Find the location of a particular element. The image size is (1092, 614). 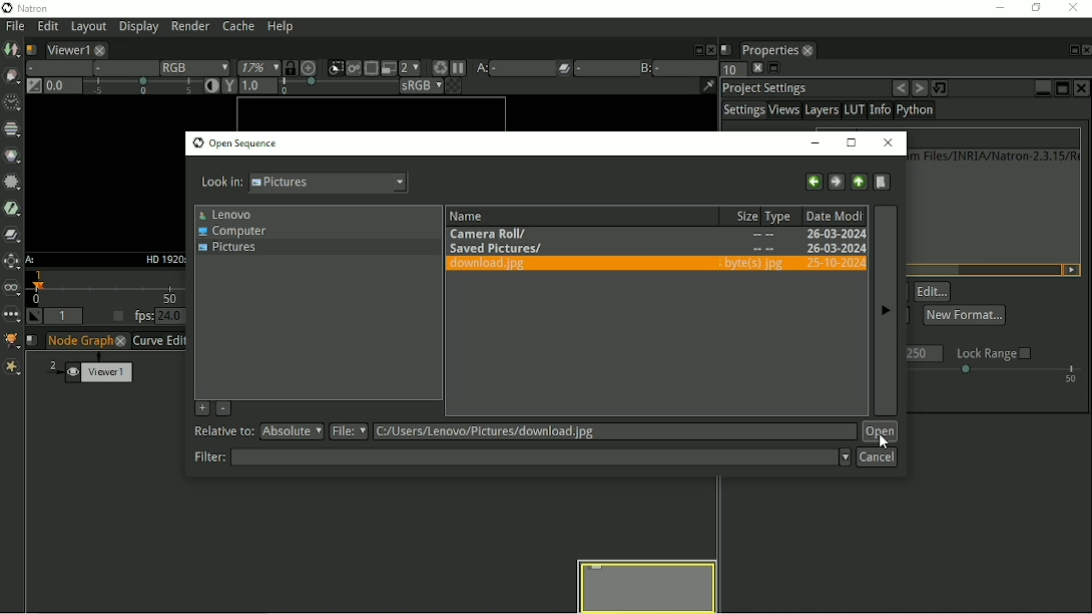

Cache is located at coordinates (237, 27).